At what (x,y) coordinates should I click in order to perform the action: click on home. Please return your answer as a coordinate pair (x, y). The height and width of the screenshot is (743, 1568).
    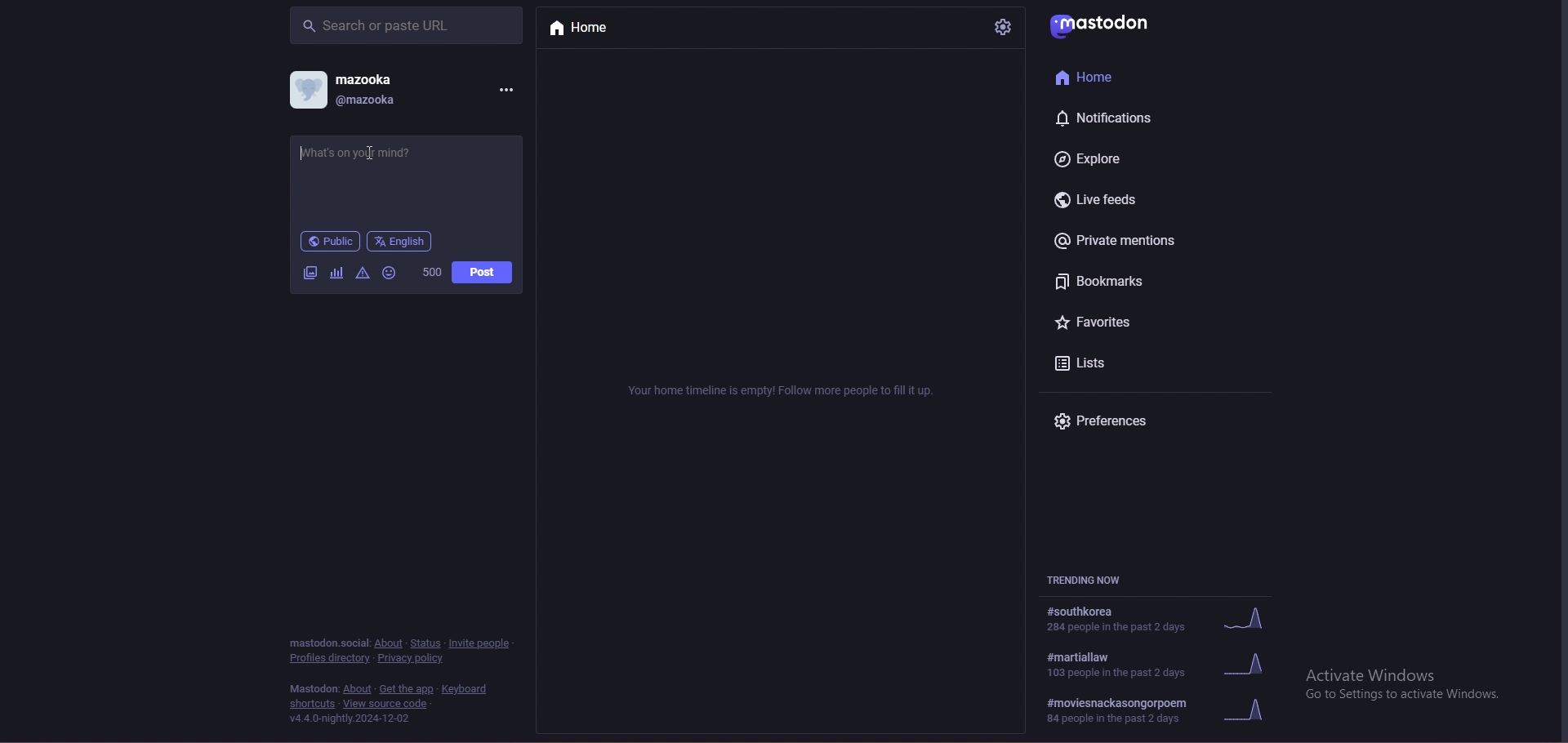
    Looking at the image, I should click on (1122, 78).